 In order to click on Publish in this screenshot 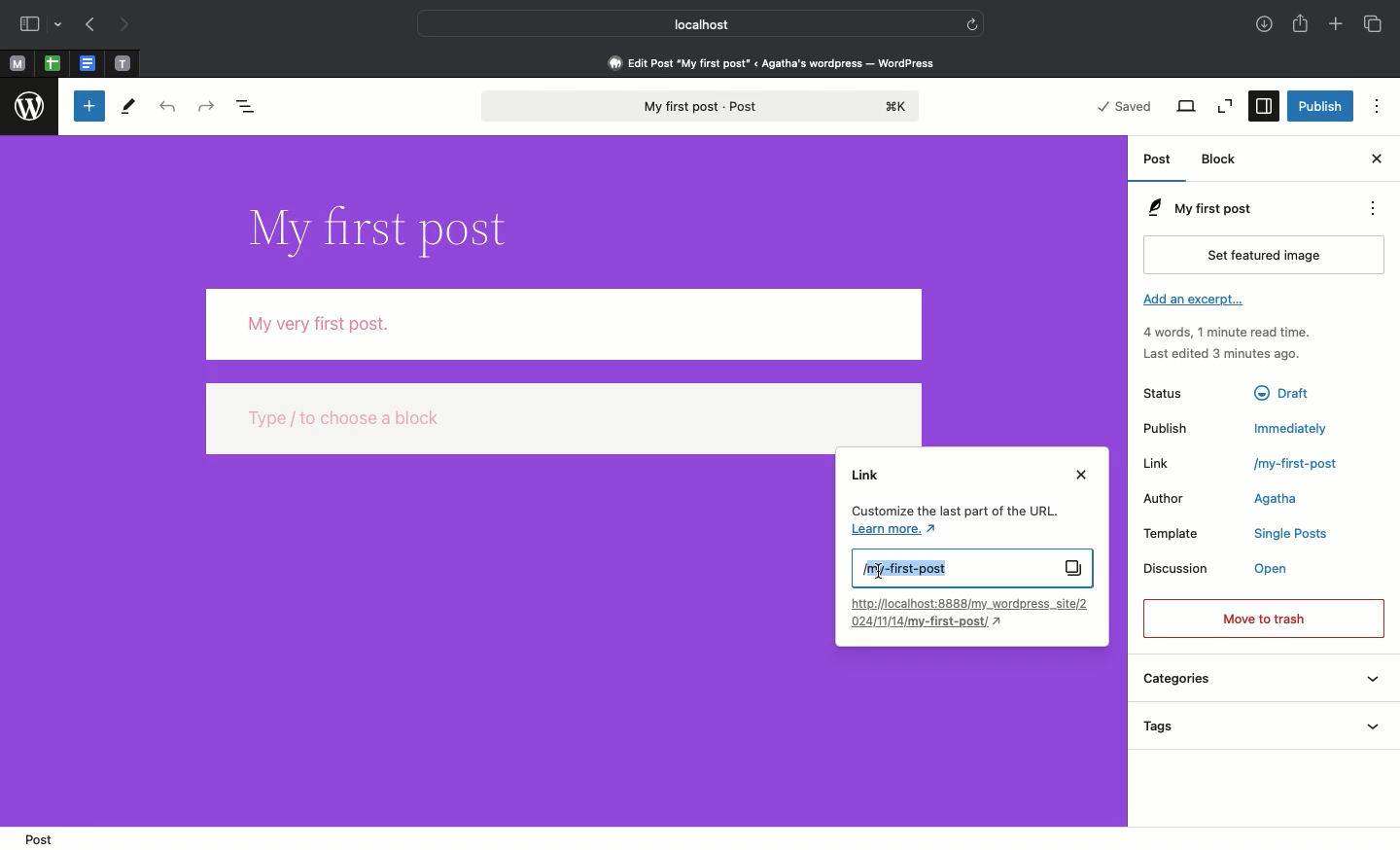, I will do `click(1319, 105)`.